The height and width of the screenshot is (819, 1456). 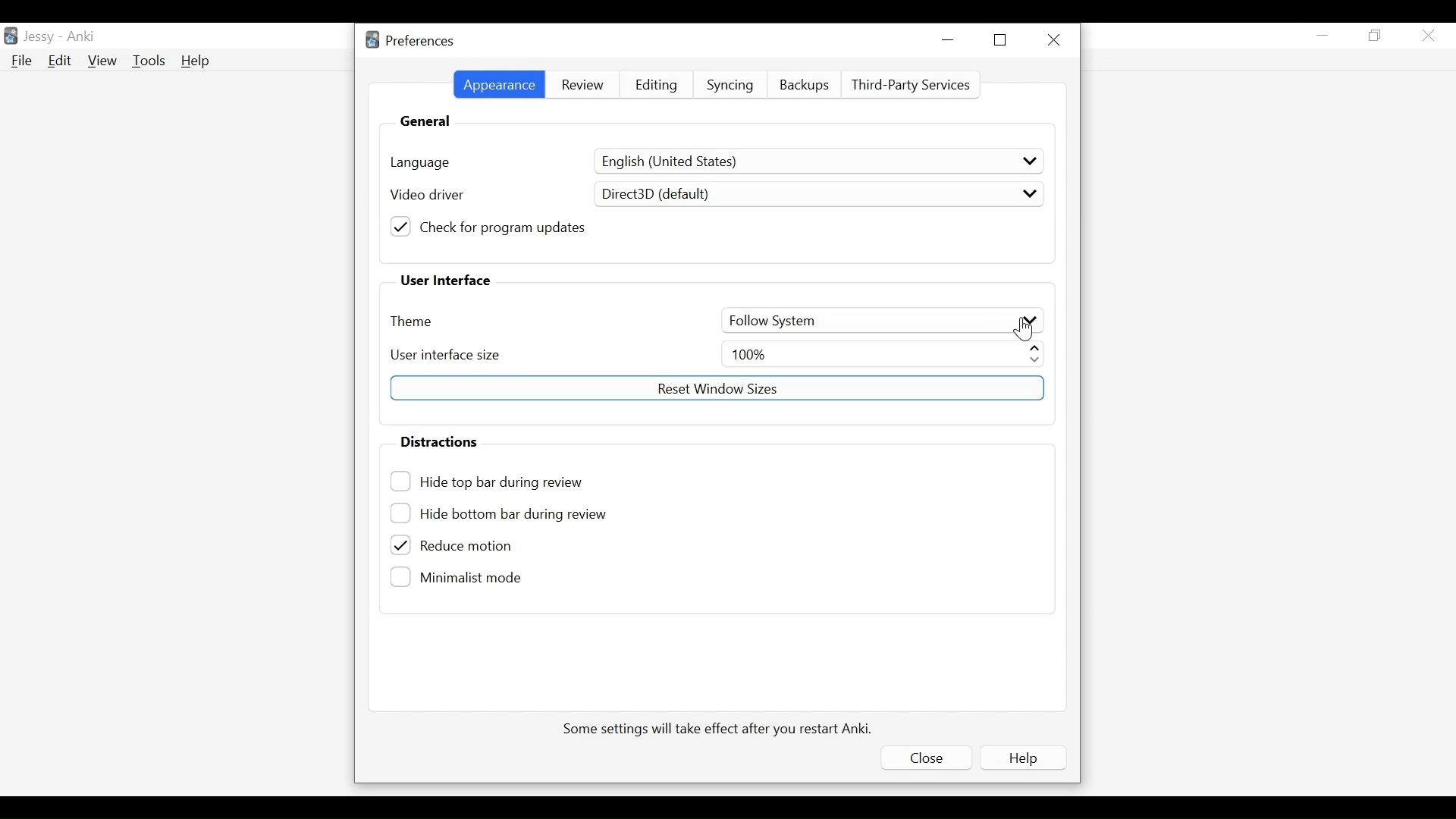 What do you see at coordinates (1025, 328) in the screenshot?
I see `Cursor` at bounding box center [1025, 328].